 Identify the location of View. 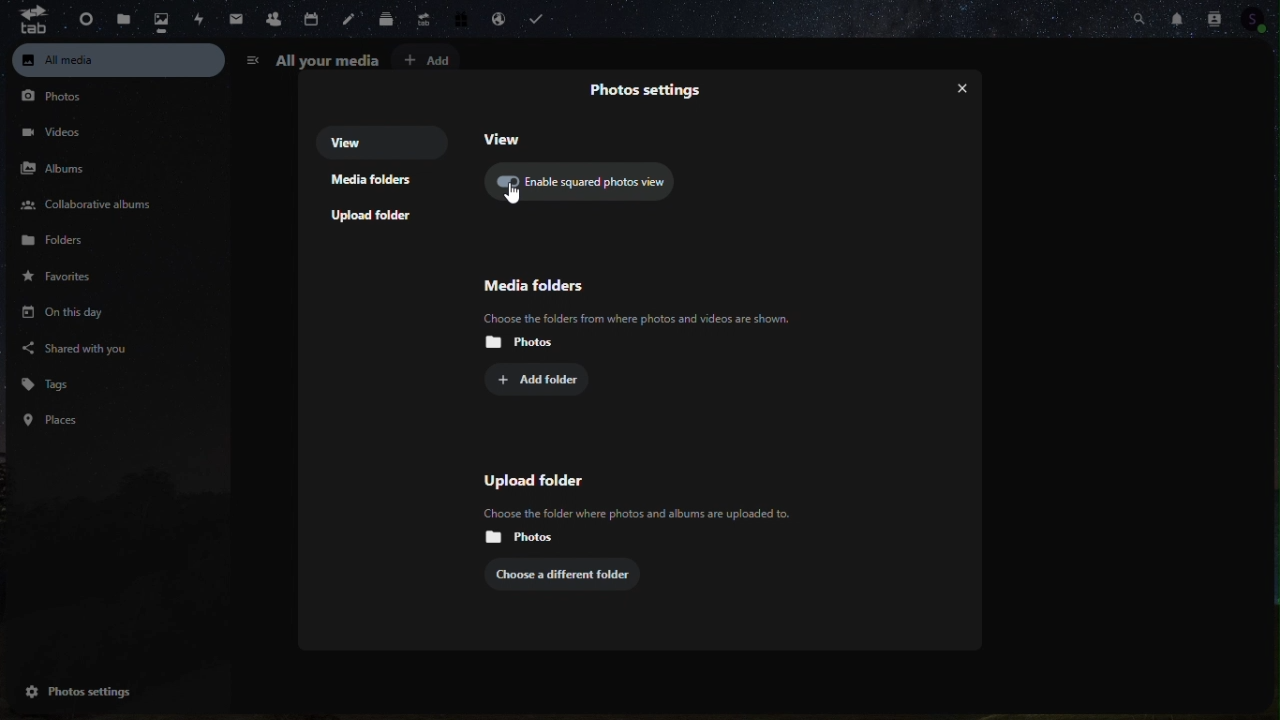
(383, 141).